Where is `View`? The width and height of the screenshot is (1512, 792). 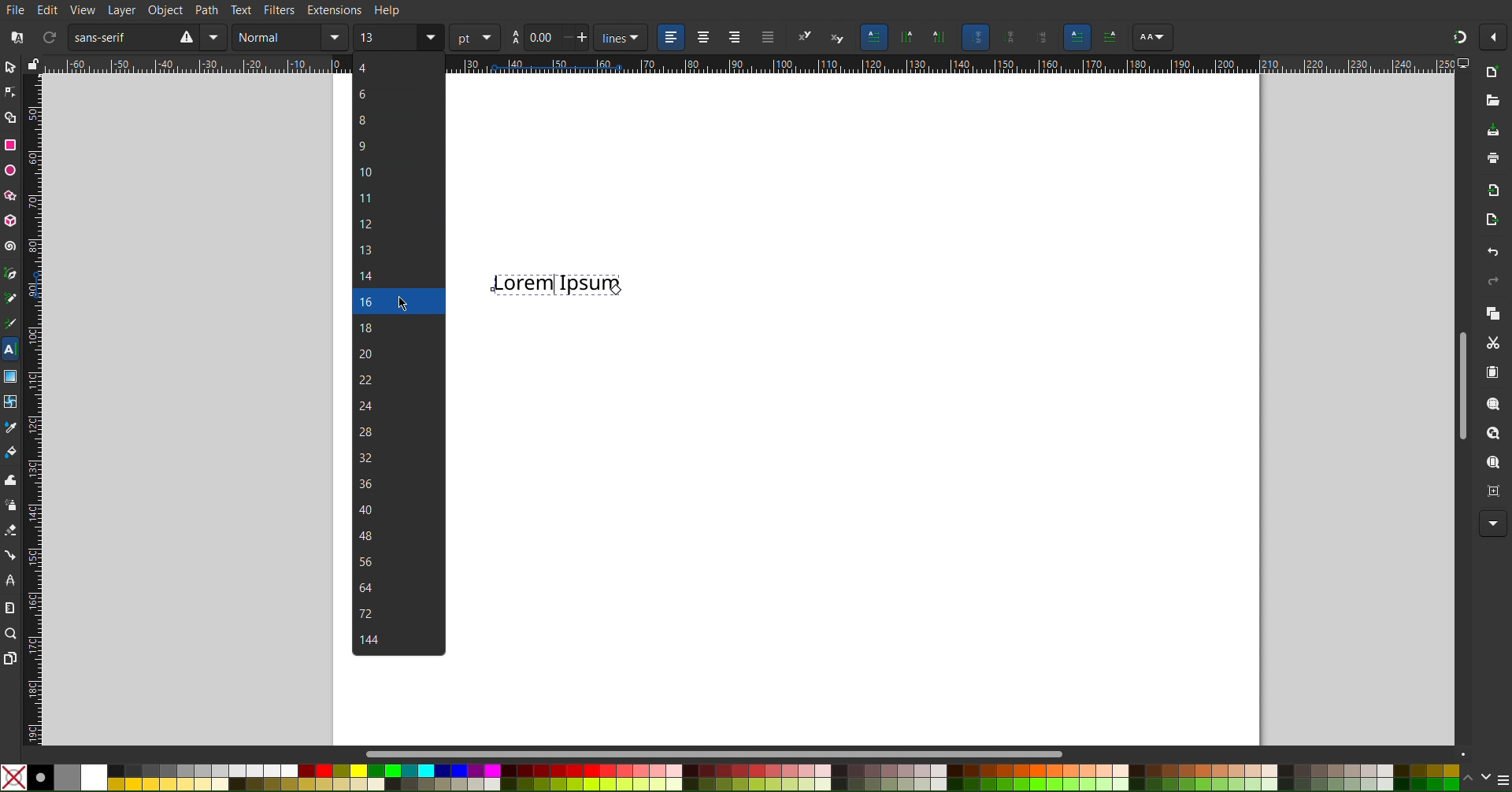
View is located at coordinates (83, 10).